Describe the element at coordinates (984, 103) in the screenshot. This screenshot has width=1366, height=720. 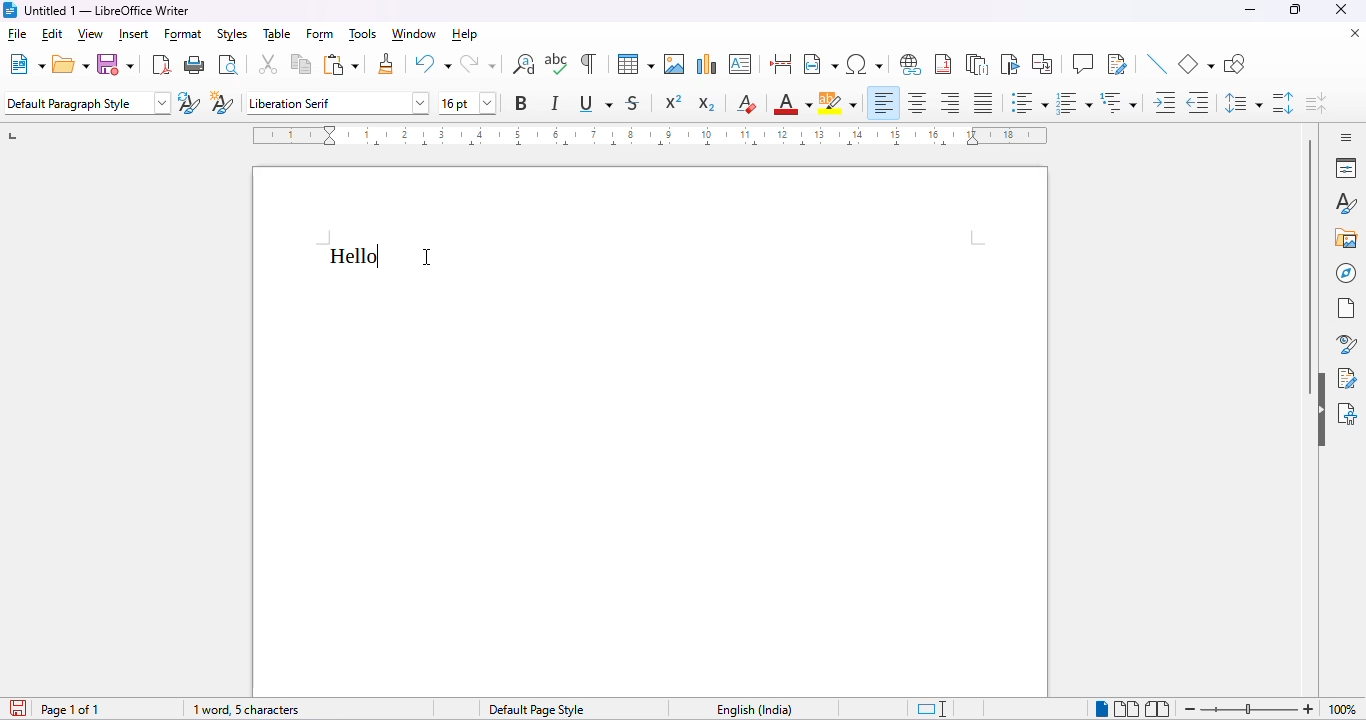
I see `justified` at that location.